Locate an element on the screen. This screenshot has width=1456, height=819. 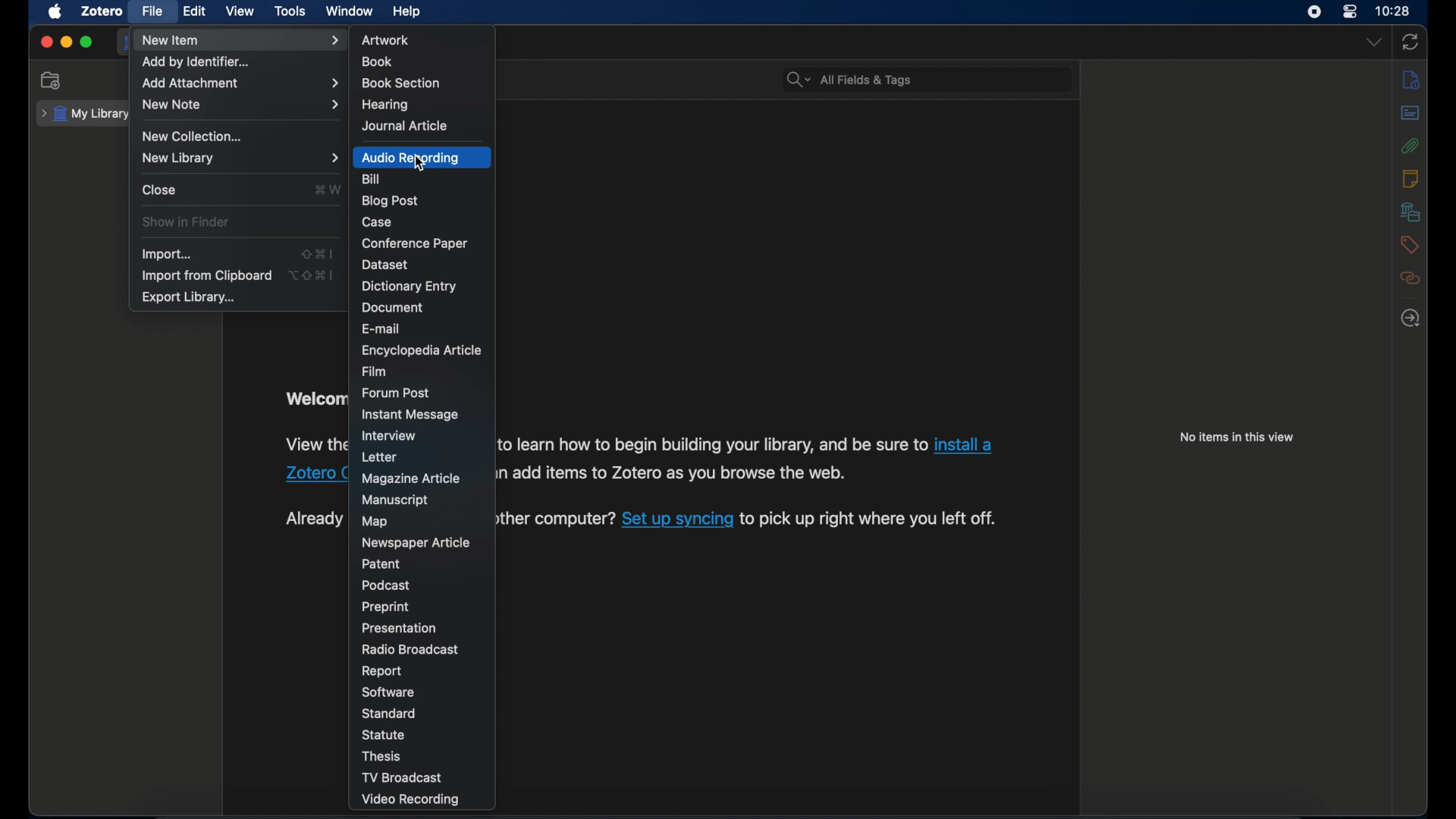
dataset is located at coordinates (385, 265).